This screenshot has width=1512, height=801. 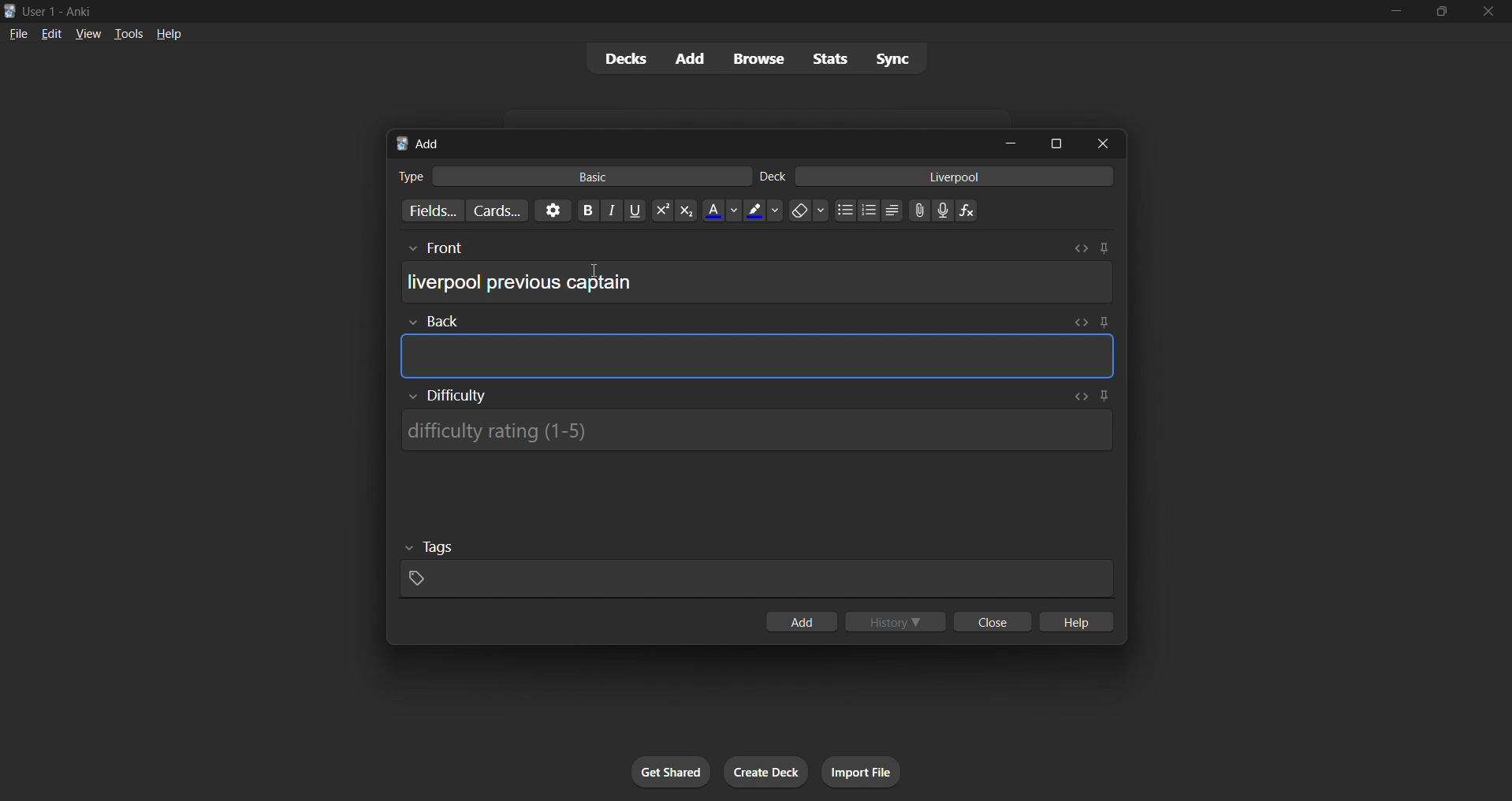 What do you see at coordinates (759, 426) in the screenshot?
I see `card difficulty input box` at bounding box center [759, 426].